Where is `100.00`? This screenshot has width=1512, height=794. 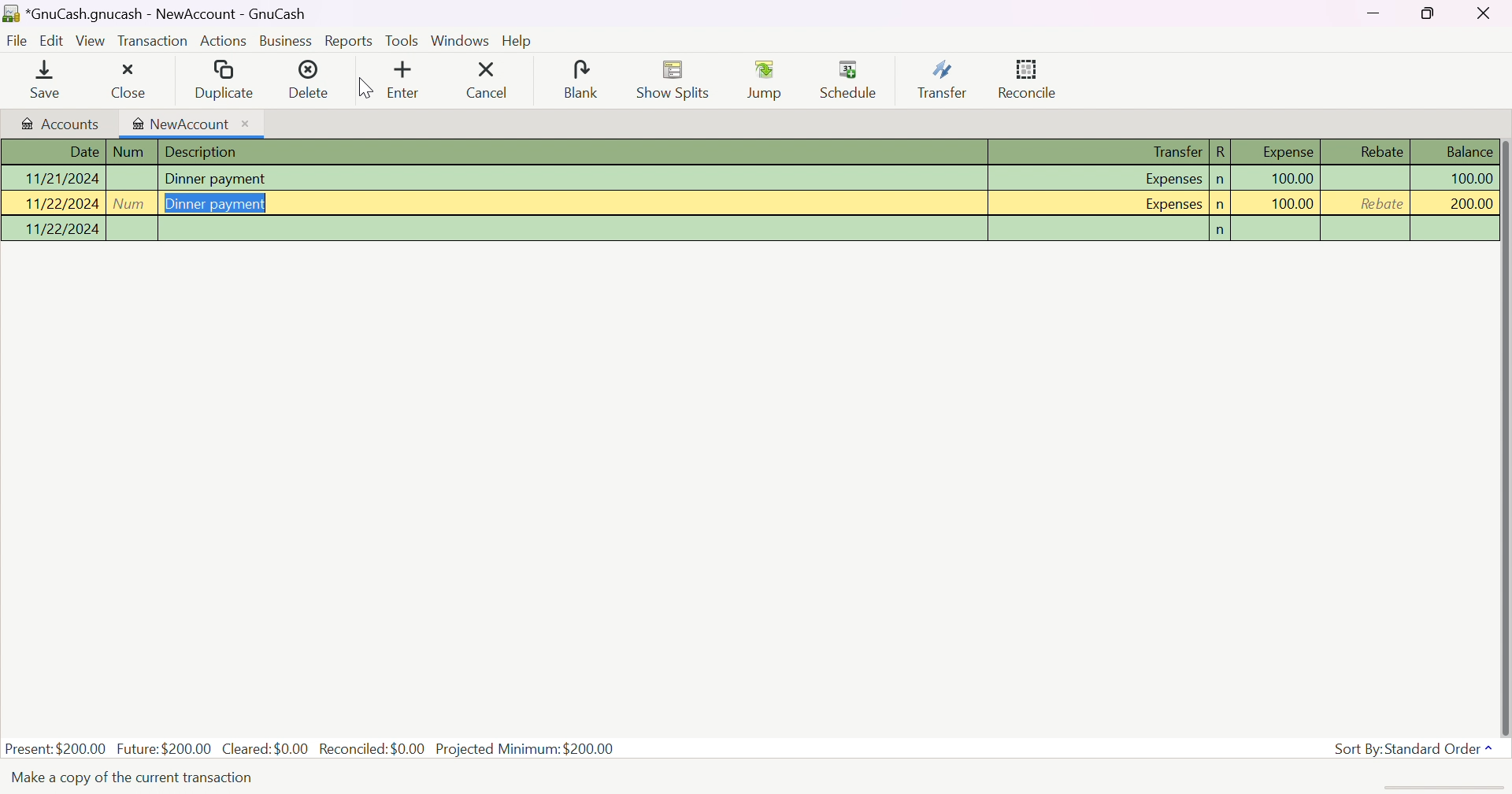 100.00 is located at coordinates (1292, 178).